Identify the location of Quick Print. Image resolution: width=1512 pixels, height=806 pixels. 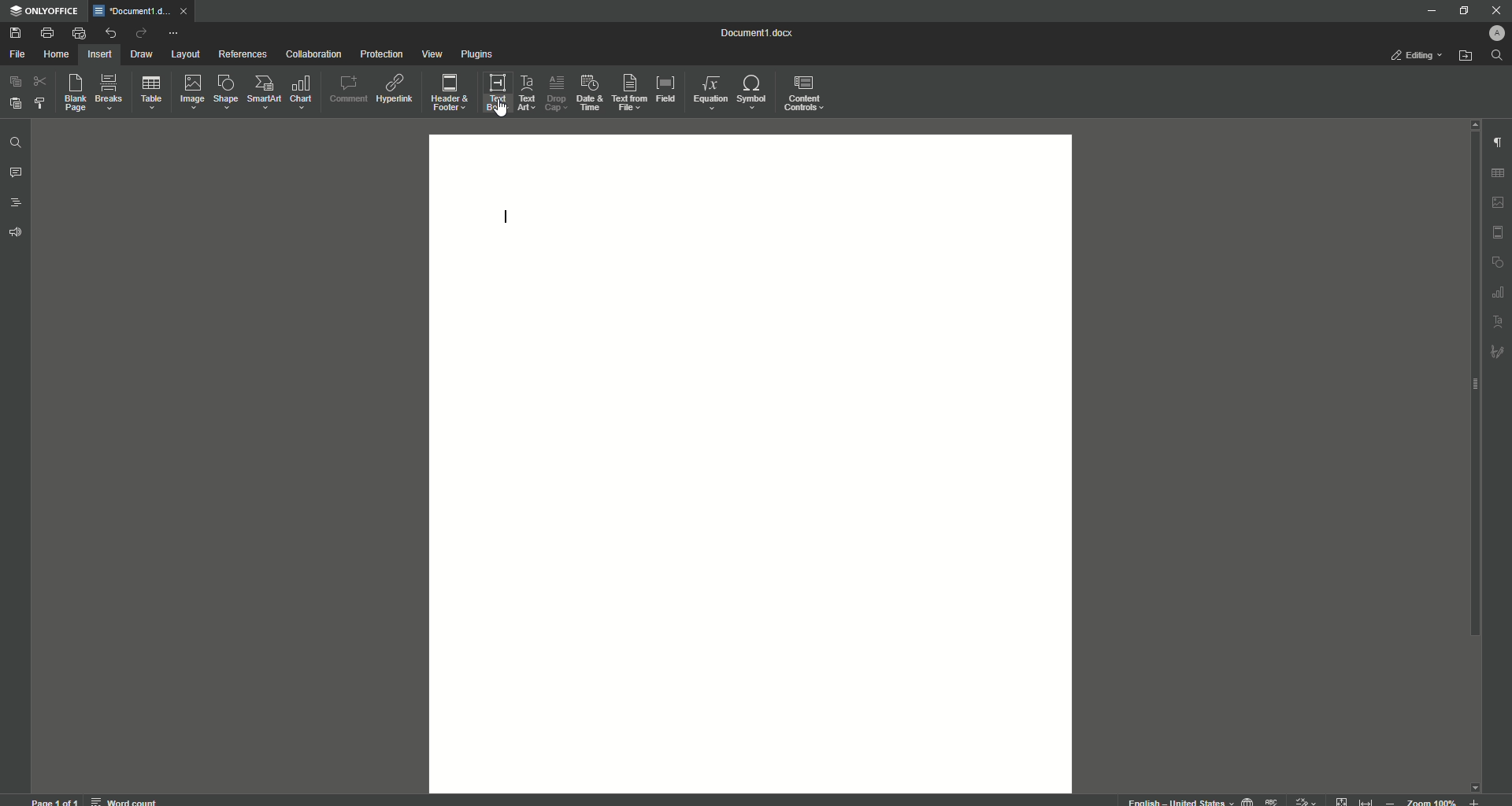
(79, 33).